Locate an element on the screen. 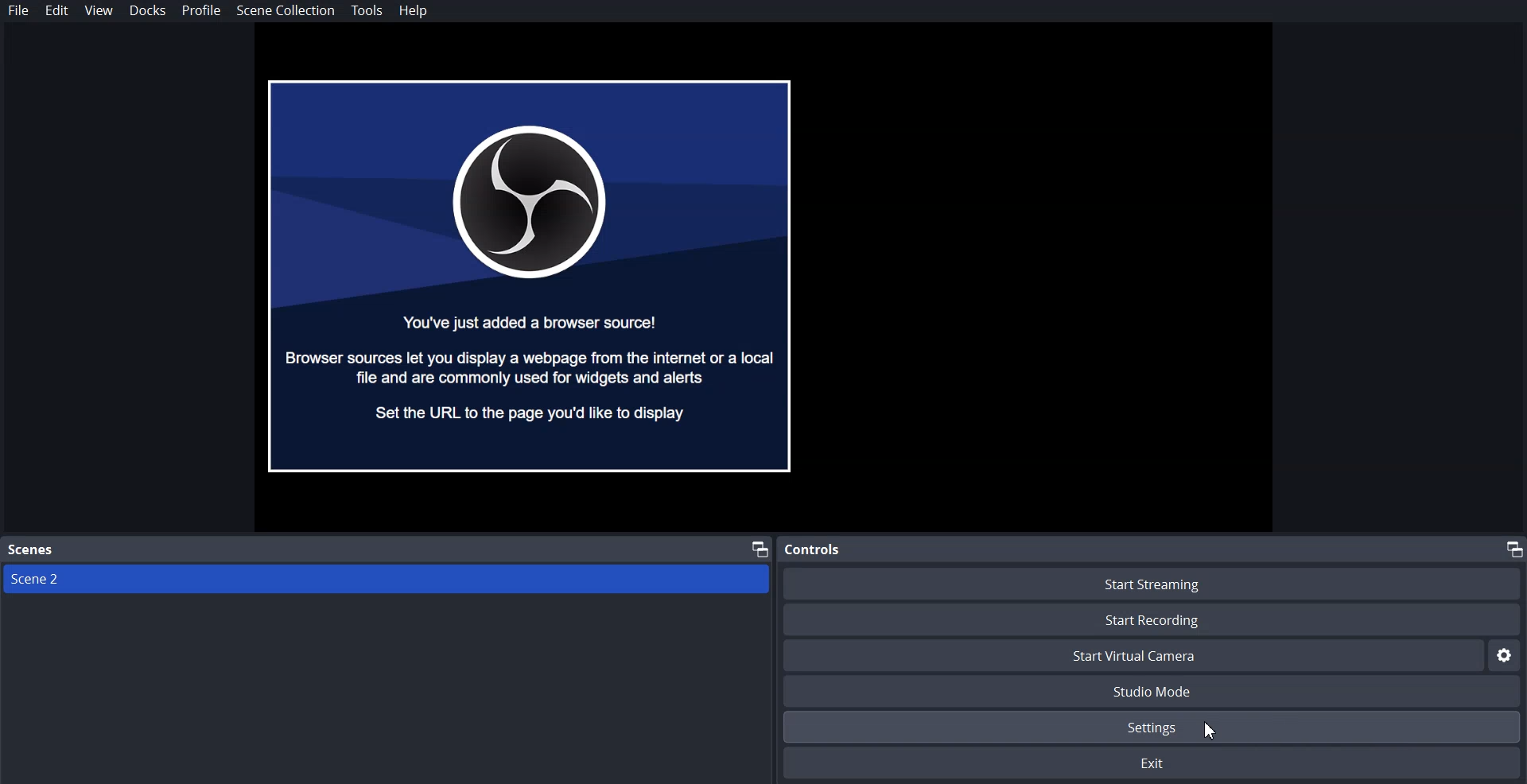 Image resolution: width=1527 pixels, height=784 pixels. Maximize is located at coordinates (1512, 548).